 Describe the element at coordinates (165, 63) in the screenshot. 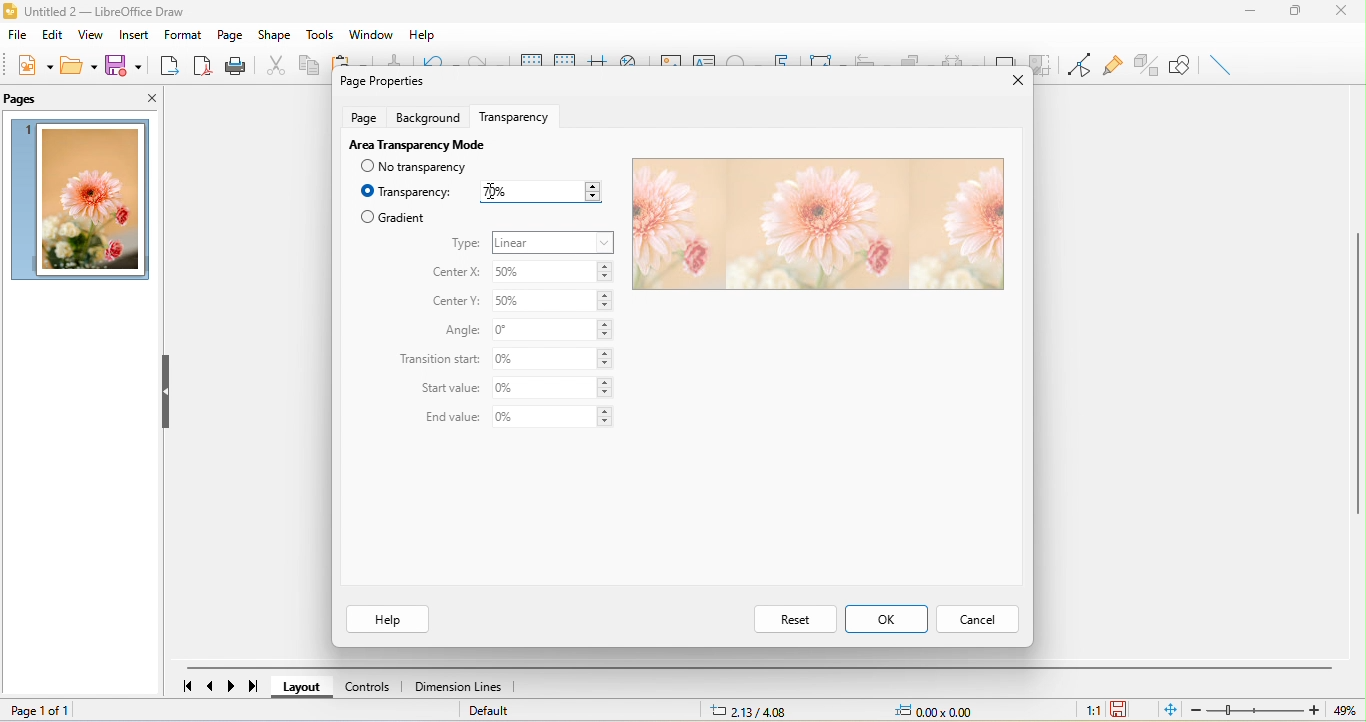

I see `export` at that location.